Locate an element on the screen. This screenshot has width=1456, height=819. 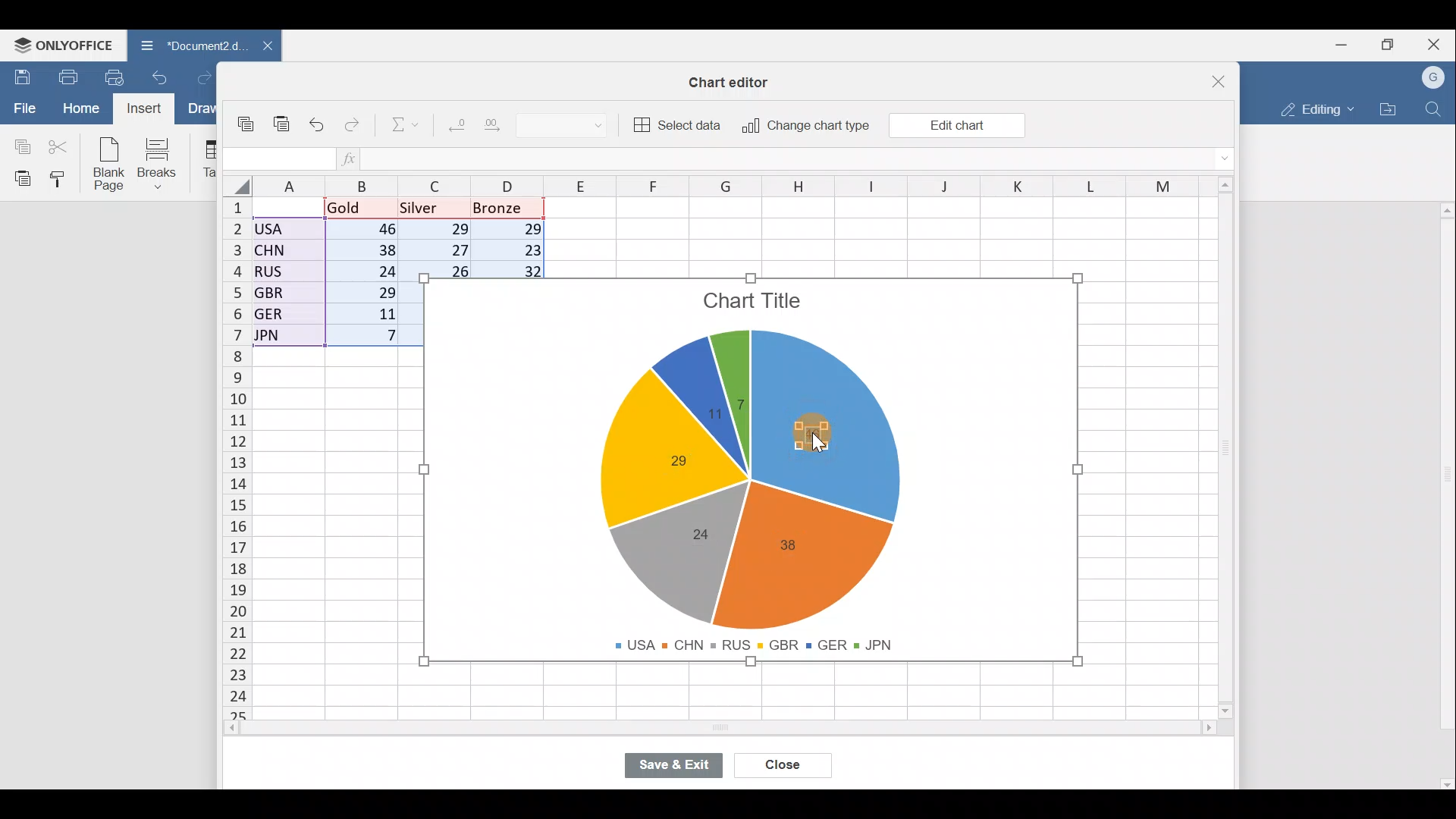
Columns is located at coordinates (745, 186).